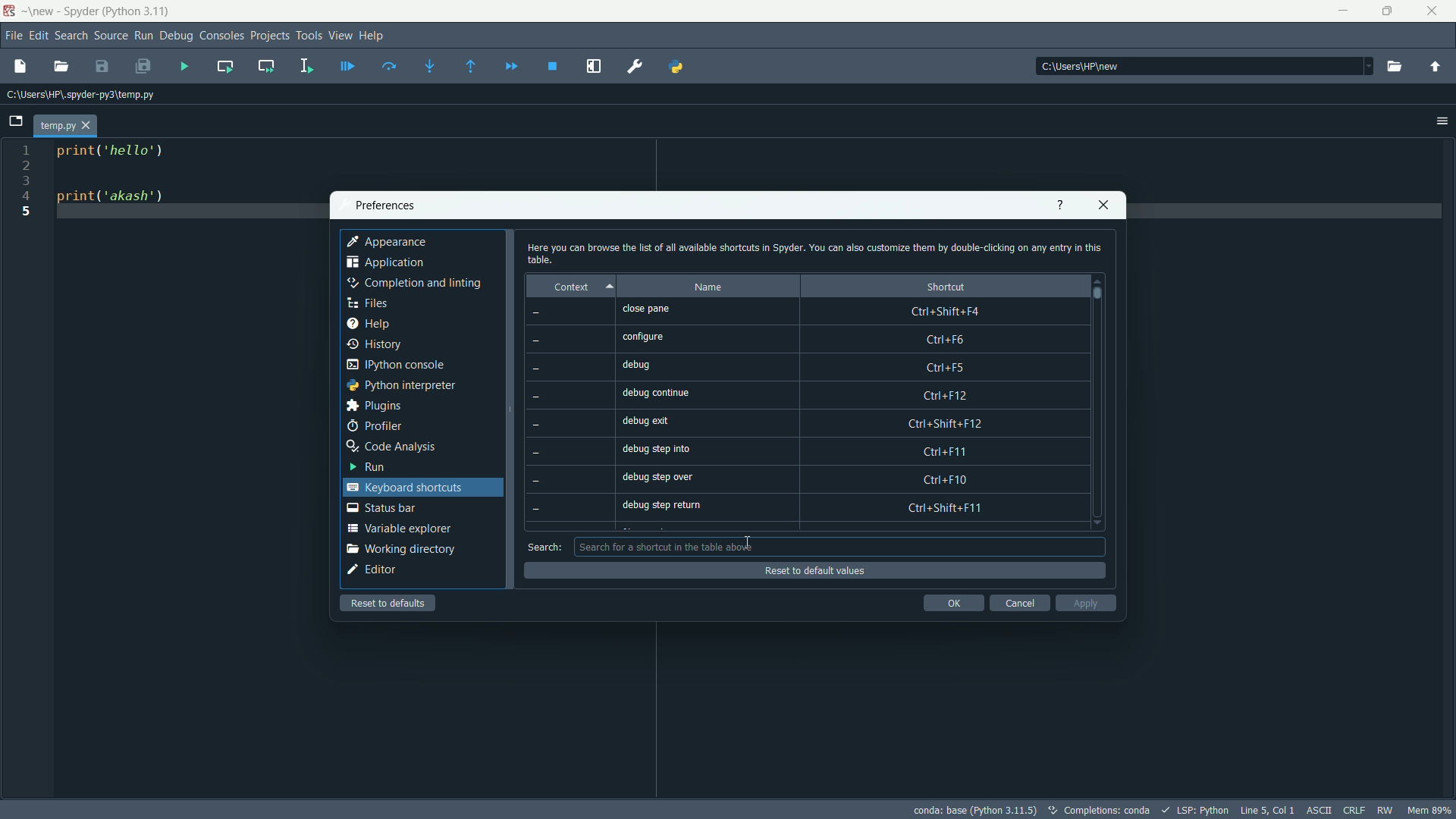  What do you see at coordinates (398, 529) in the screenshot?
I see `variable explore` at bounding box center [398, 529].